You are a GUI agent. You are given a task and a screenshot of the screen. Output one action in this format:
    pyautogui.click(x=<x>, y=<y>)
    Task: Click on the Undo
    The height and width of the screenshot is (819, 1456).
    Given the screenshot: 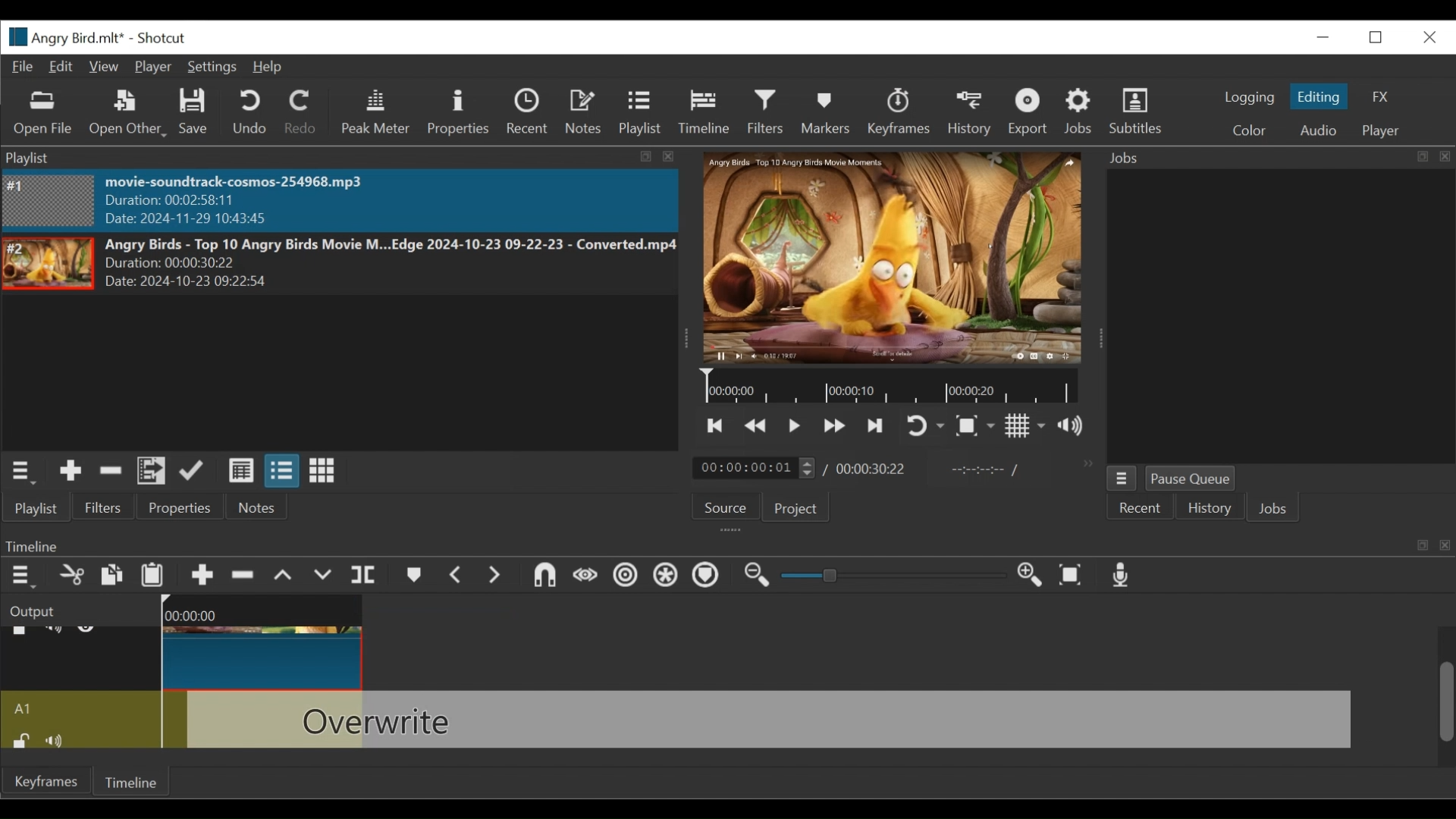 What is the action you would take?
    pyautogui.click(x=251, y=112)
    